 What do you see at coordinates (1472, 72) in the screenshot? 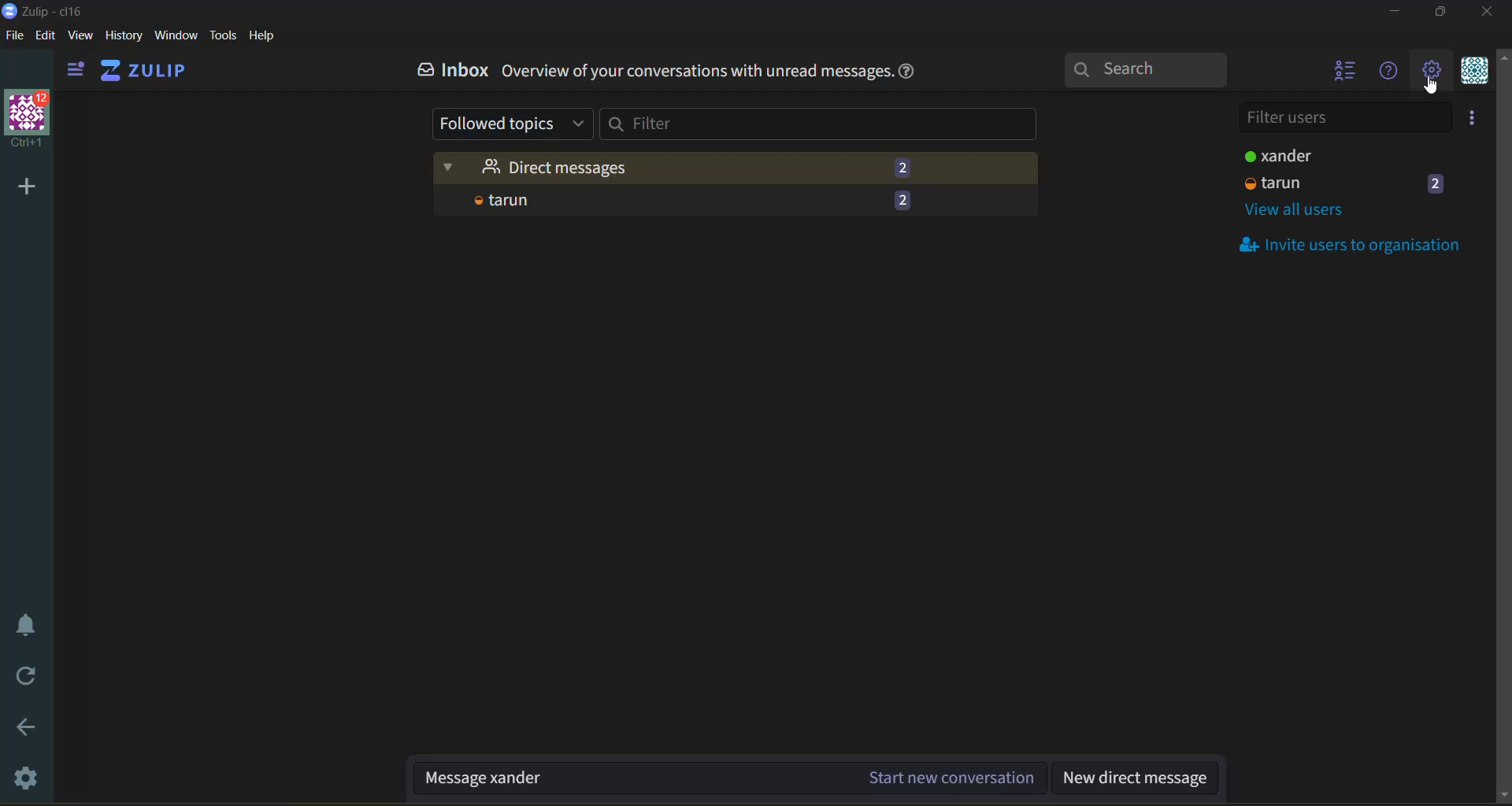
I see `personal menu` at bounding box center [1472, 72].